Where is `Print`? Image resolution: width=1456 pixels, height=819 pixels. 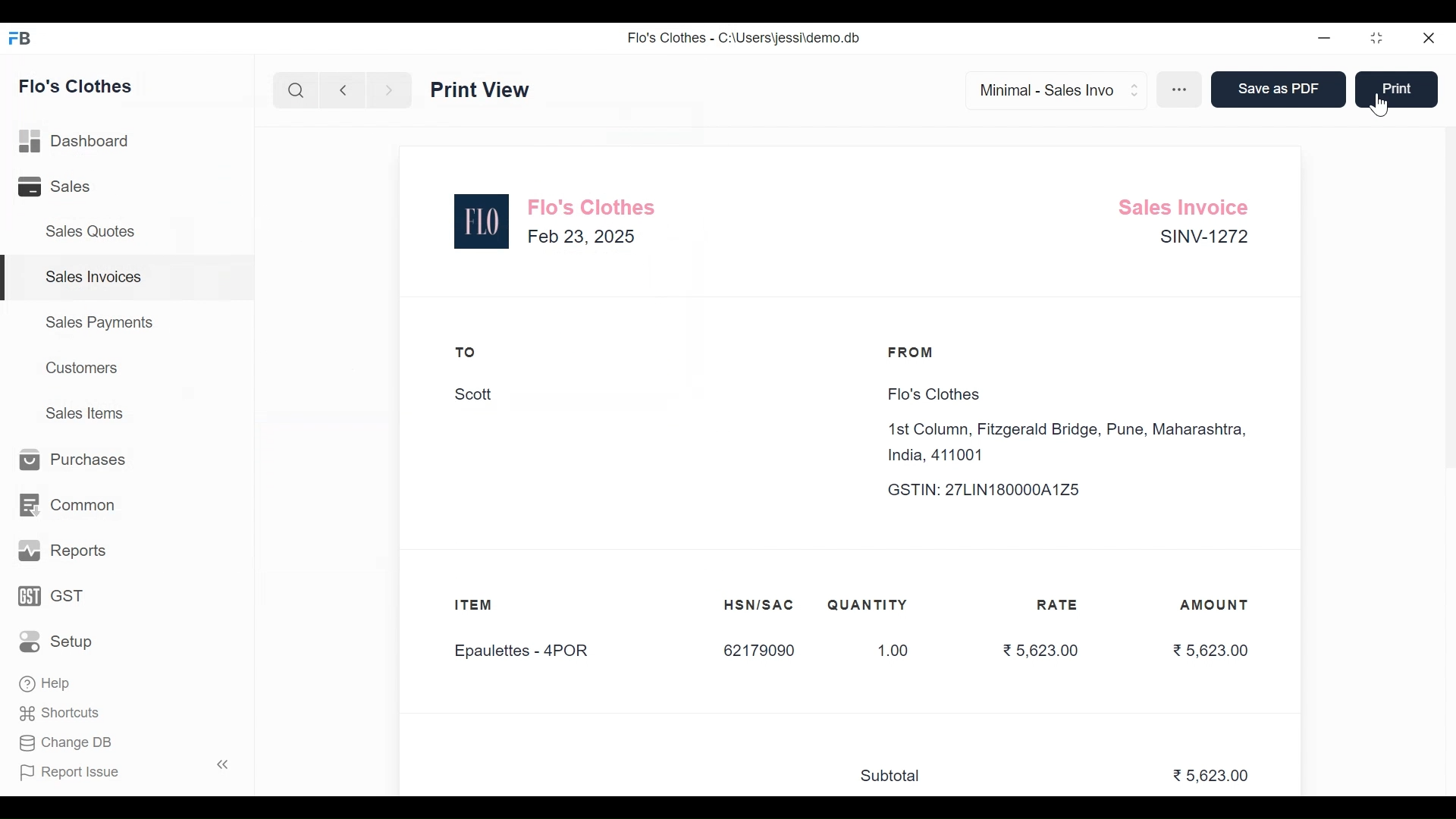
Print is located at coordinates (1395, 88).